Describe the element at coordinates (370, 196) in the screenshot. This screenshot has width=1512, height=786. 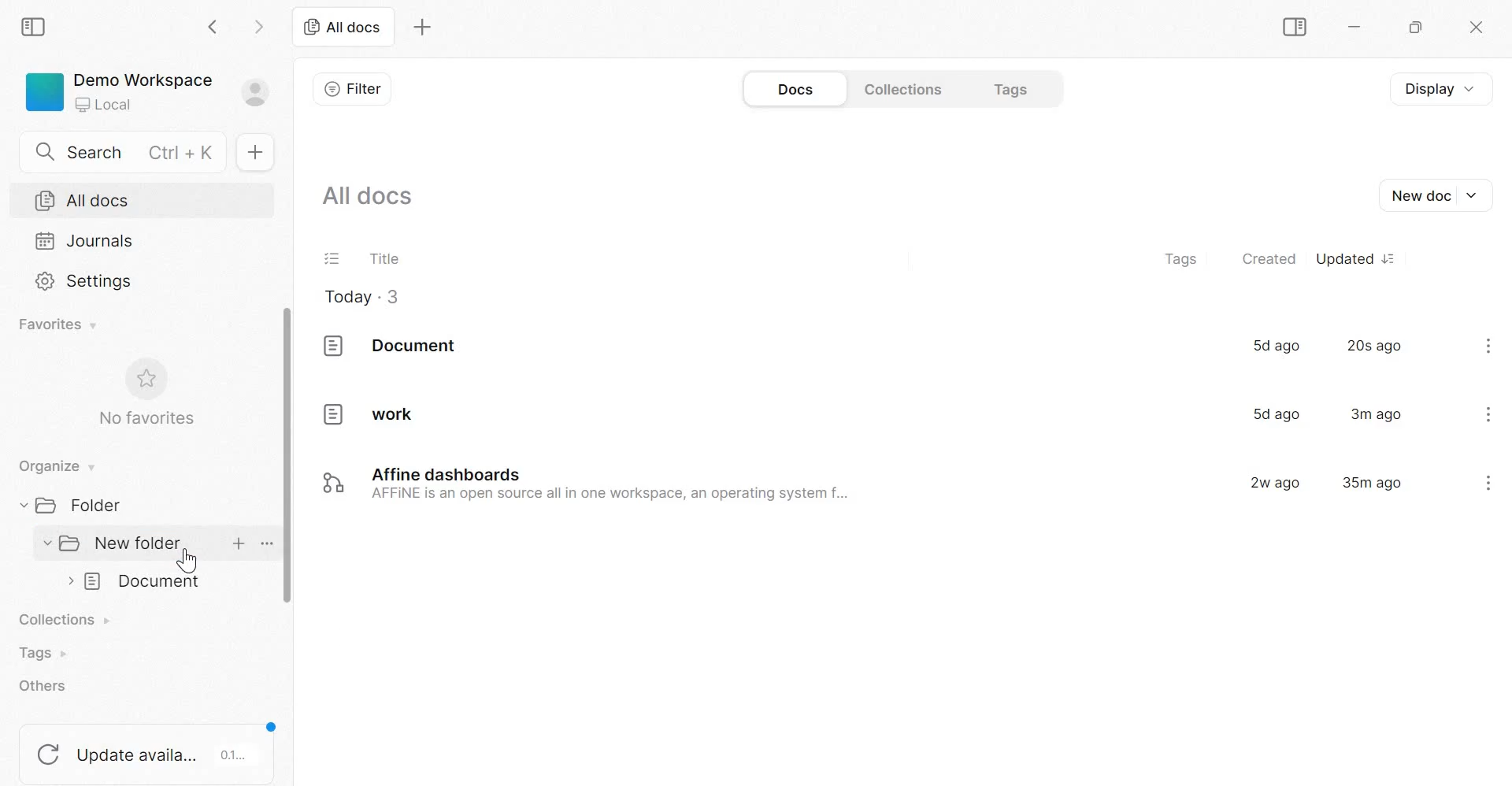
I see `All docs` at that location.